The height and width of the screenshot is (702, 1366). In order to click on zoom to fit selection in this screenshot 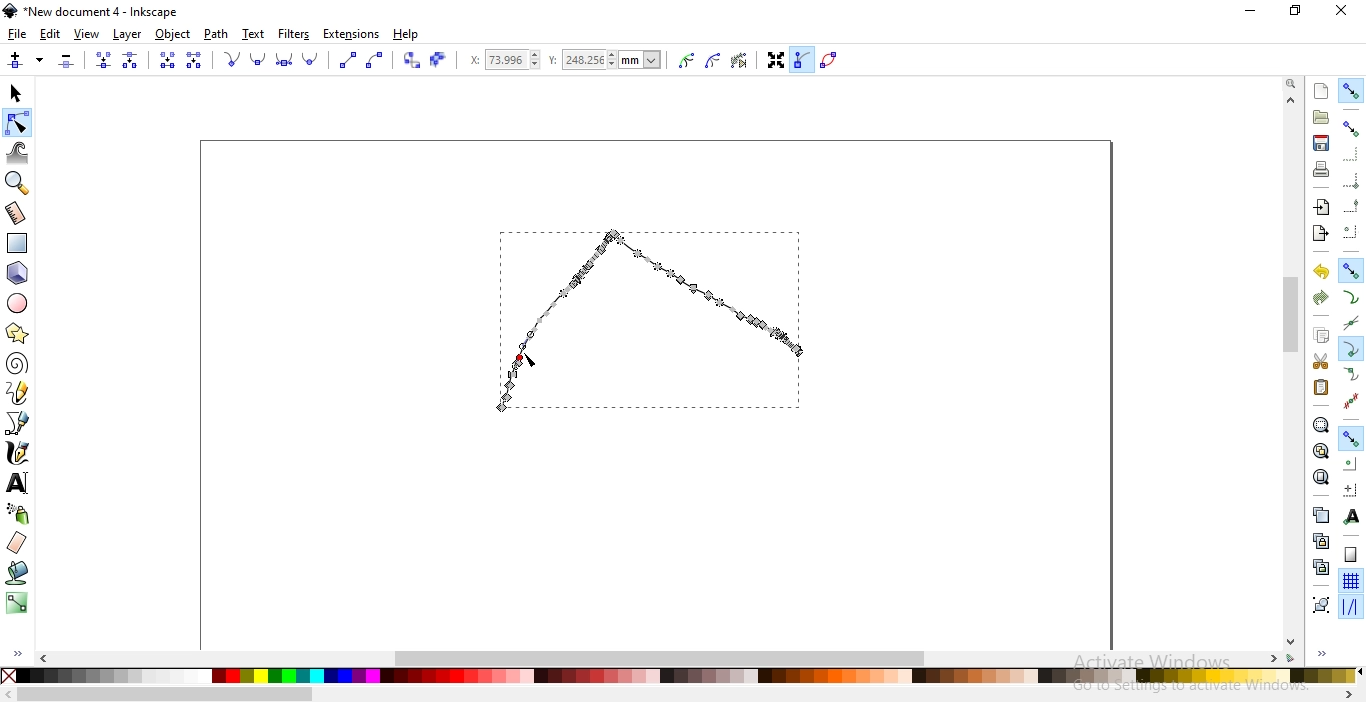, I will do `click(1319, 424)`.